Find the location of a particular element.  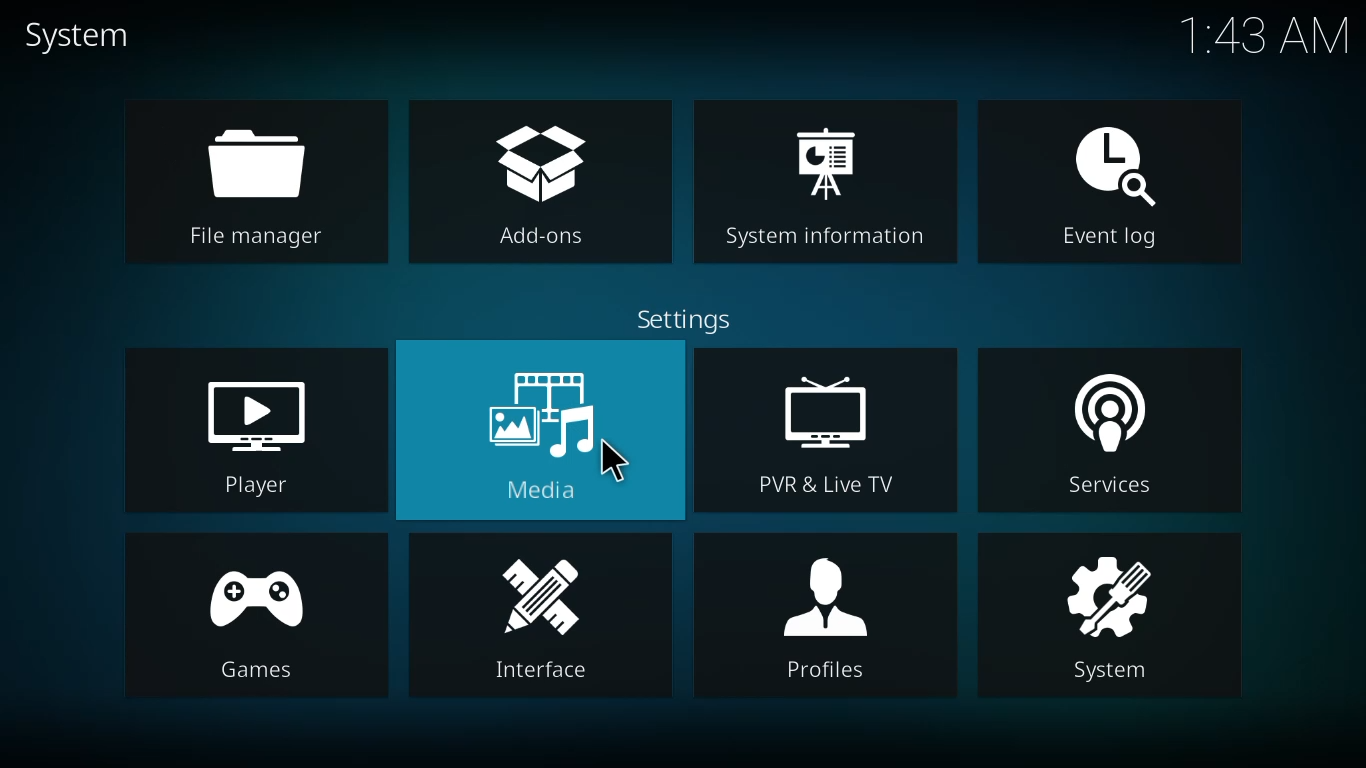

time is located at coordinates (1259, 40).